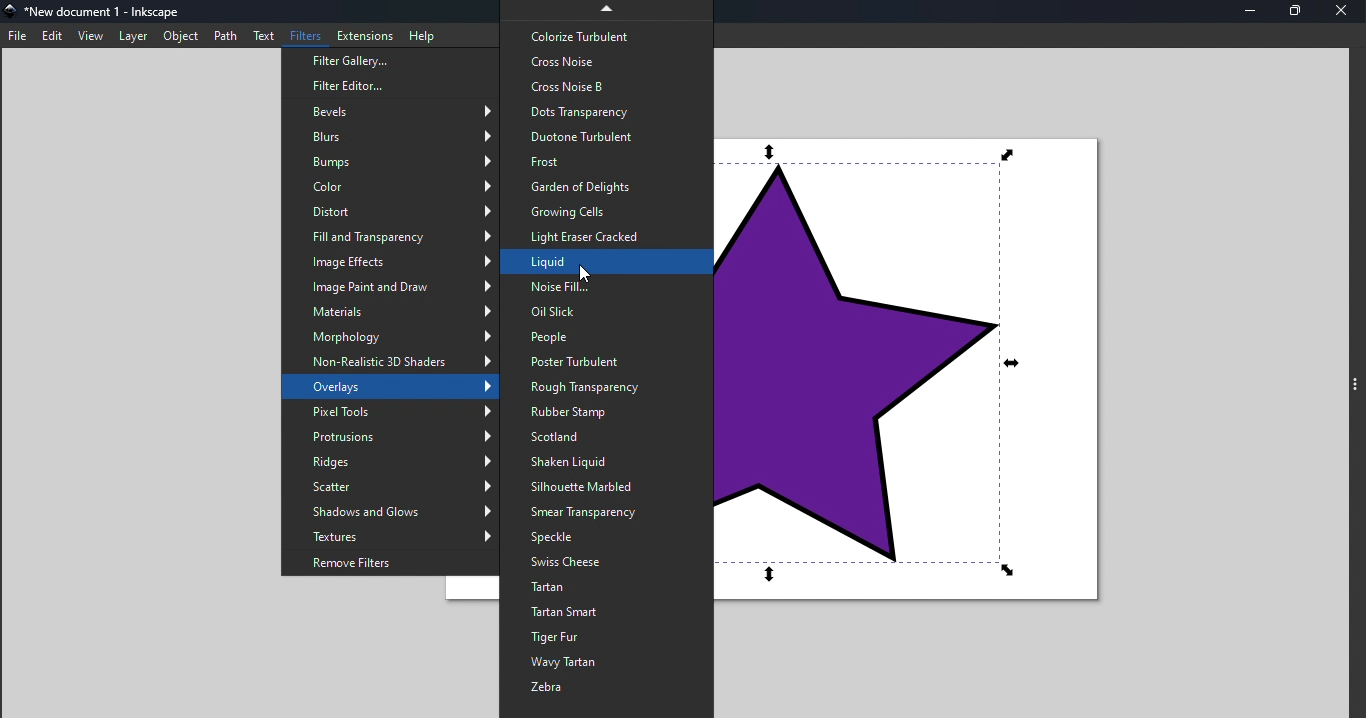 This screenshot has height=718, width=1366. What do you see at coordinates (1353, 385) in the screenshot?
I see `Toggle command panel` at bounding box center [1353, 385].